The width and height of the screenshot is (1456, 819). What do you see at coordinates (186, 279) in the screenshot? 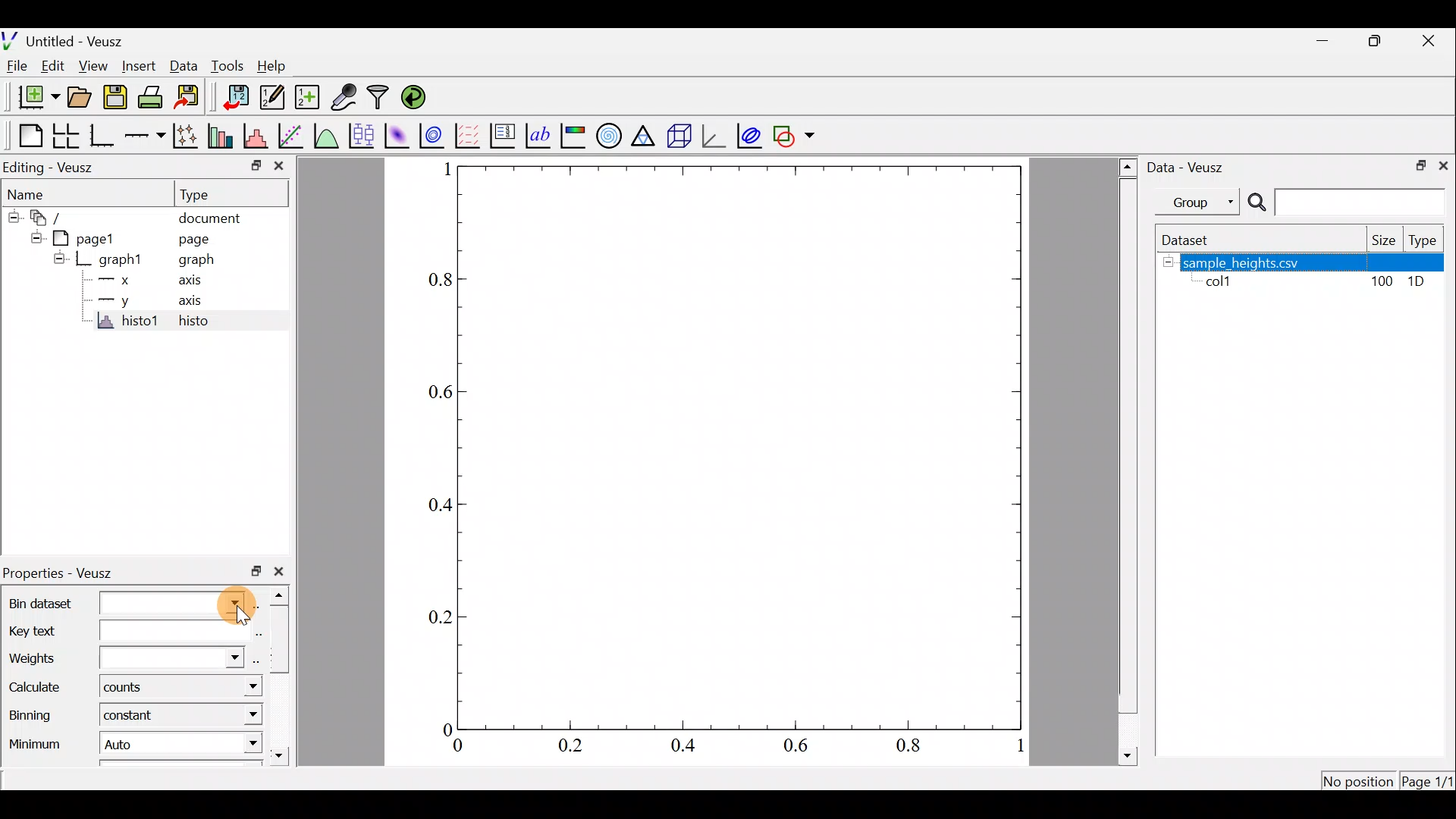
I see `axis` at bounding box center [186, 279].